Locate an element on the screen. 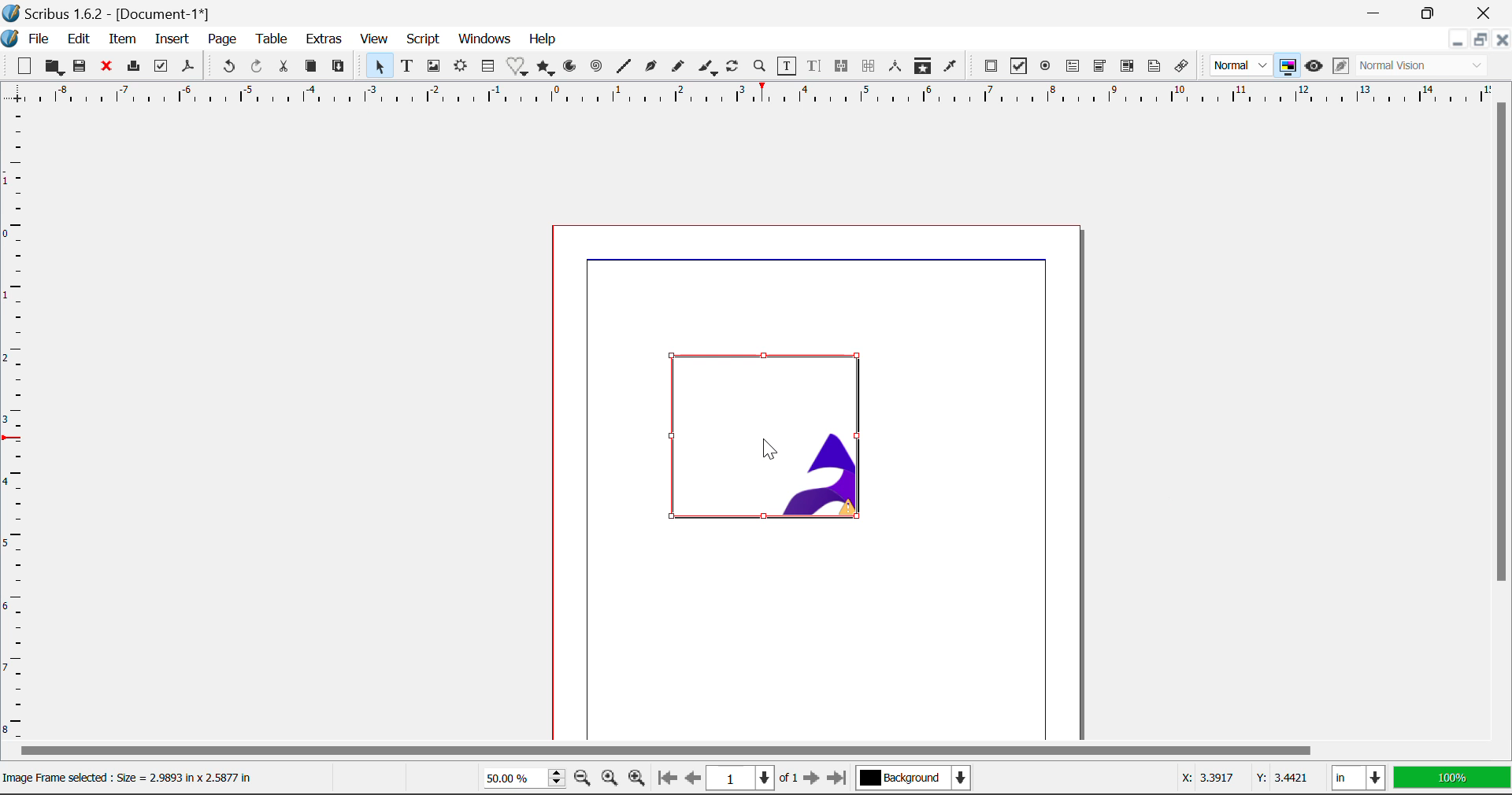  Polygon is located at coordinates (547, 68).